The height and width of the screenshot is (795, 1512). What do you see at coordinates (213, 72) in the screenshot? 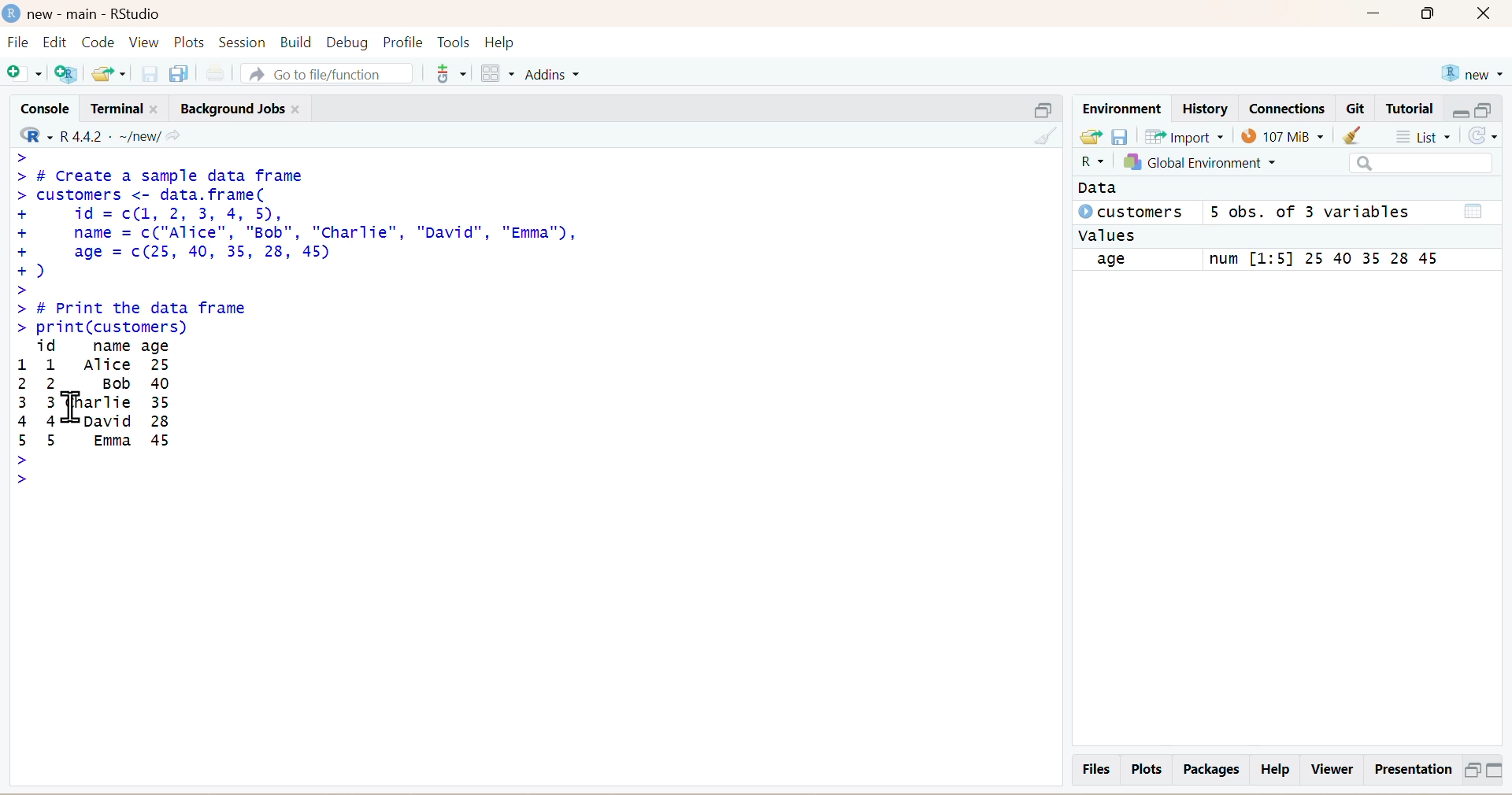
I see `Print the current files` at bounding box center [213, 72].